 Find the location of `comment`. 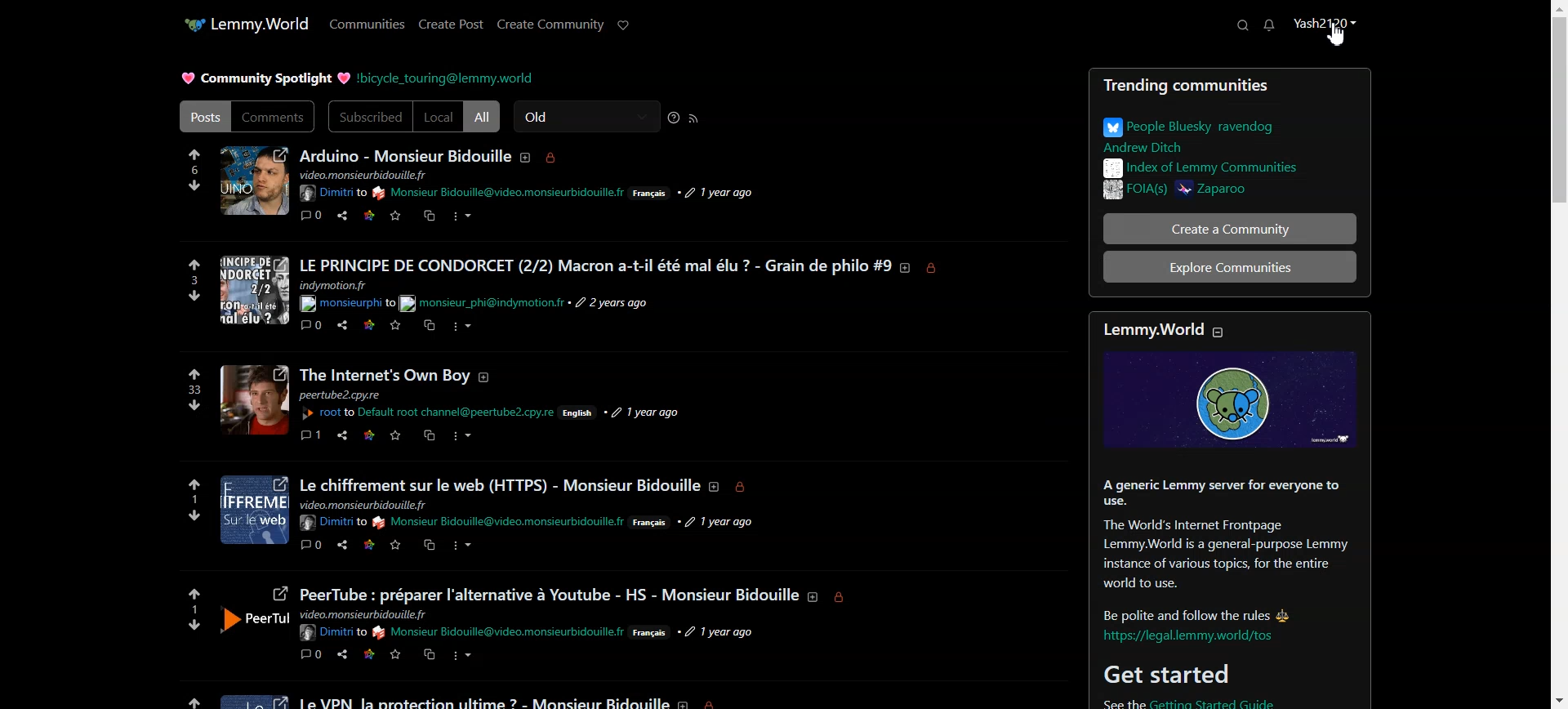

comment is located at coordinates (312, 655).